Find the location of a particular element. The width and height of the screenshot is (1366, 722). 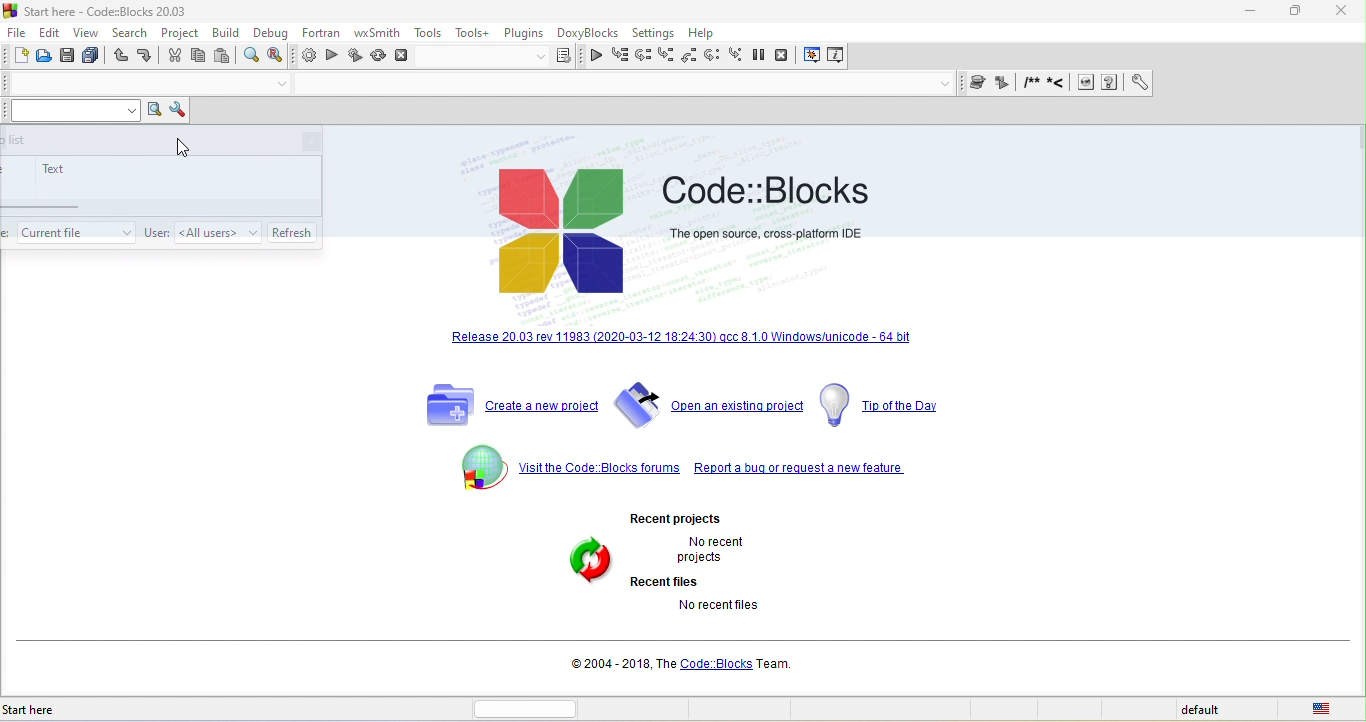

no recent projects  is located at coordinates (727, 549).